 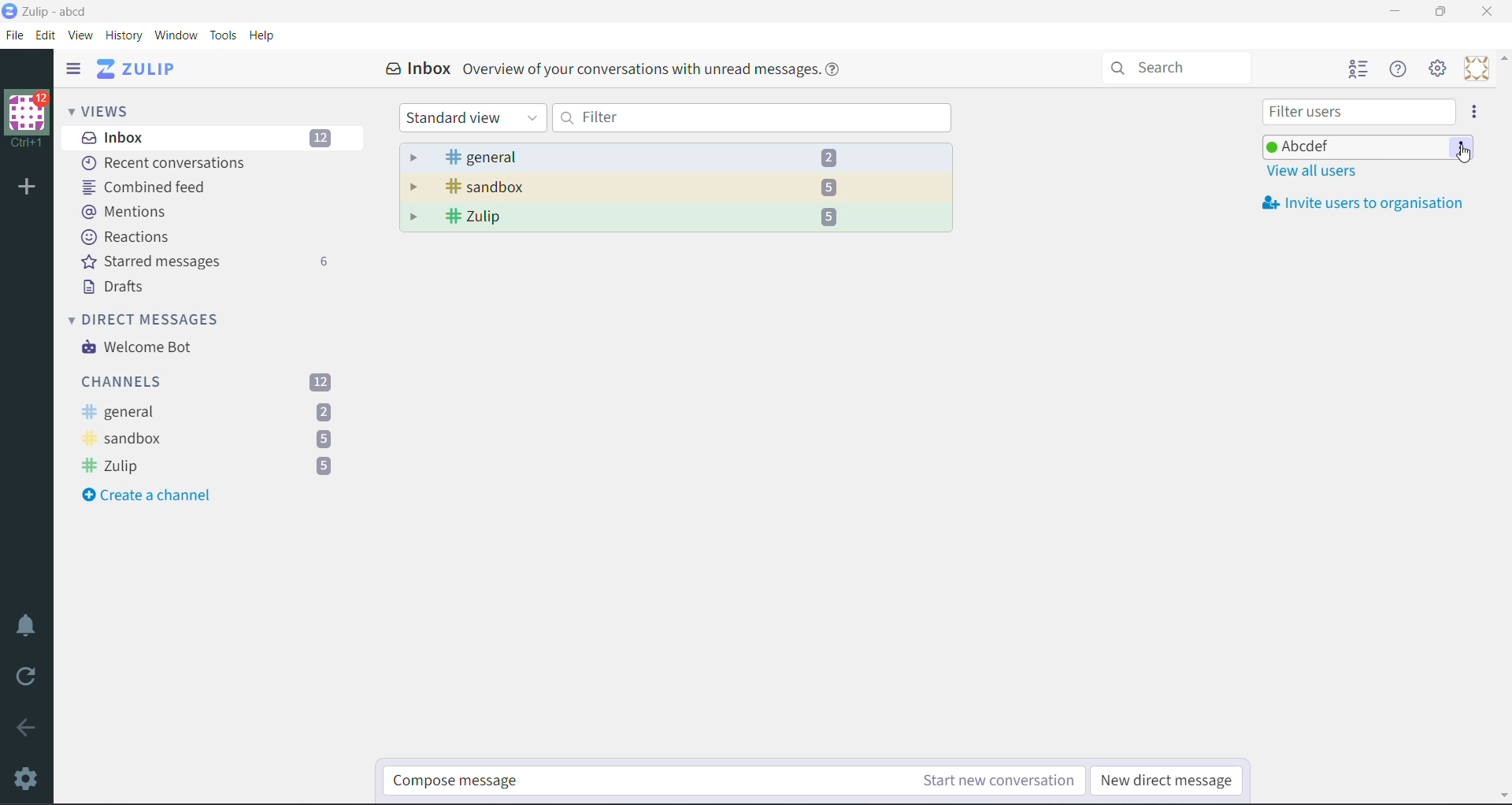 What do you see at coordinates (1473, 111) in the screenshot?
I see `option to invite users to organization` at bounding box center [1473, 111].